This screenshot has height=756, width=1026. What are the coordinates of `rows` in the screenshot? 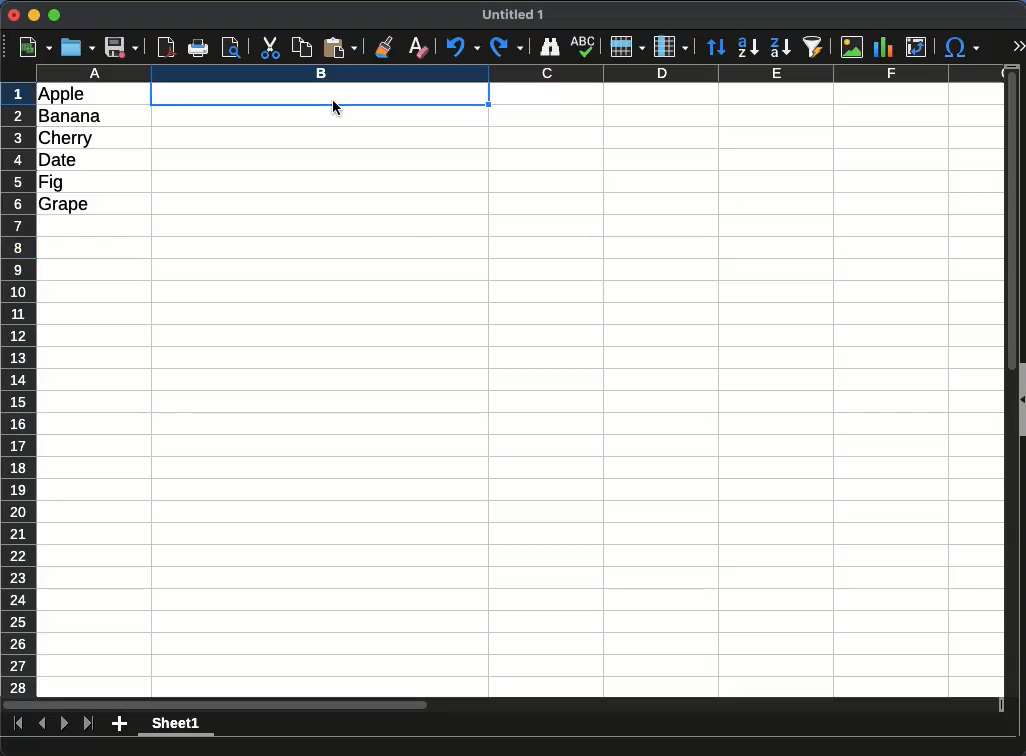 It's located at (19, 390).